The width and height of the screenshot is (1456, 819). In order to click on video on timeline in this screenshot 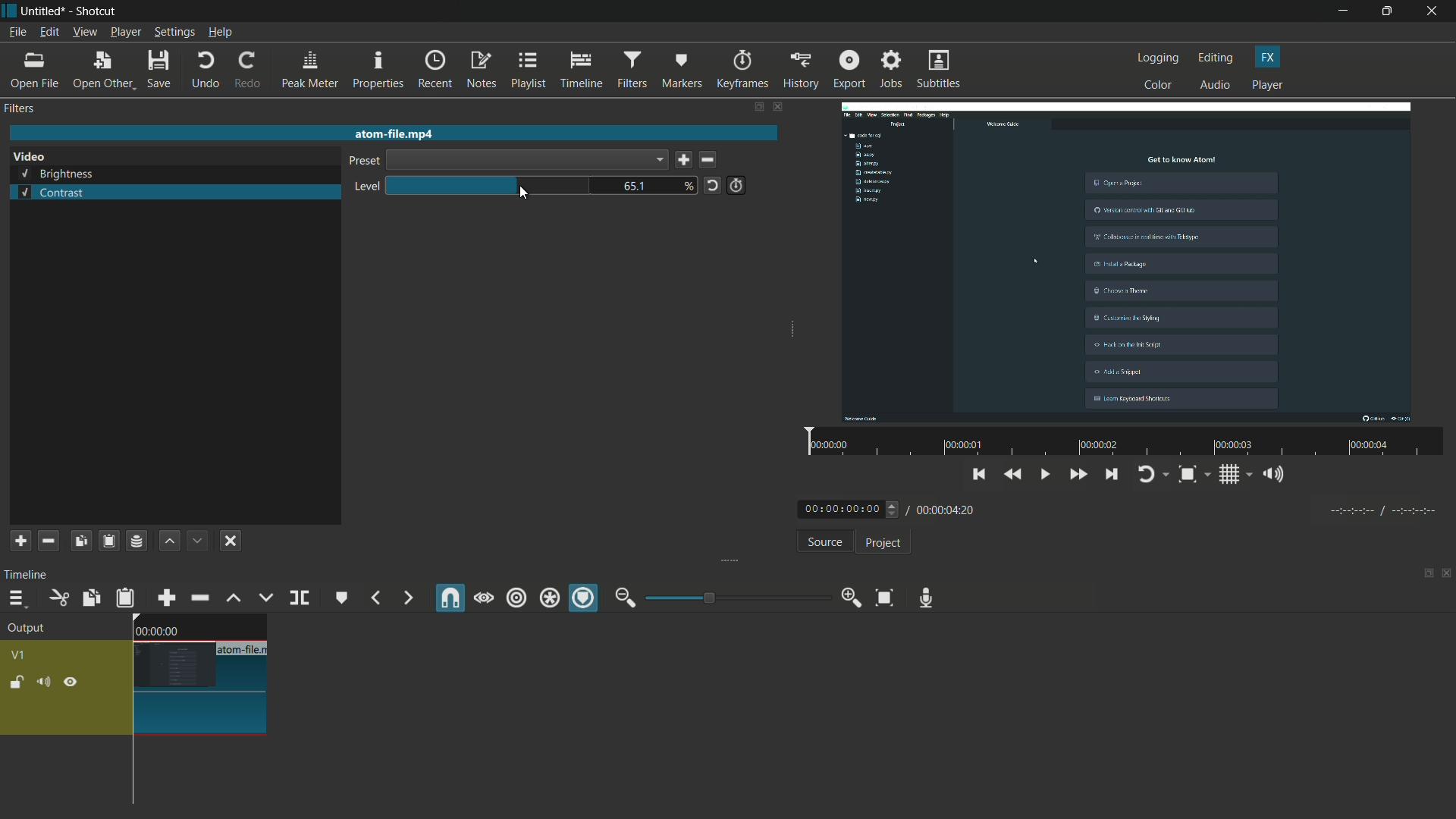, I will do `click(198, 674)`.